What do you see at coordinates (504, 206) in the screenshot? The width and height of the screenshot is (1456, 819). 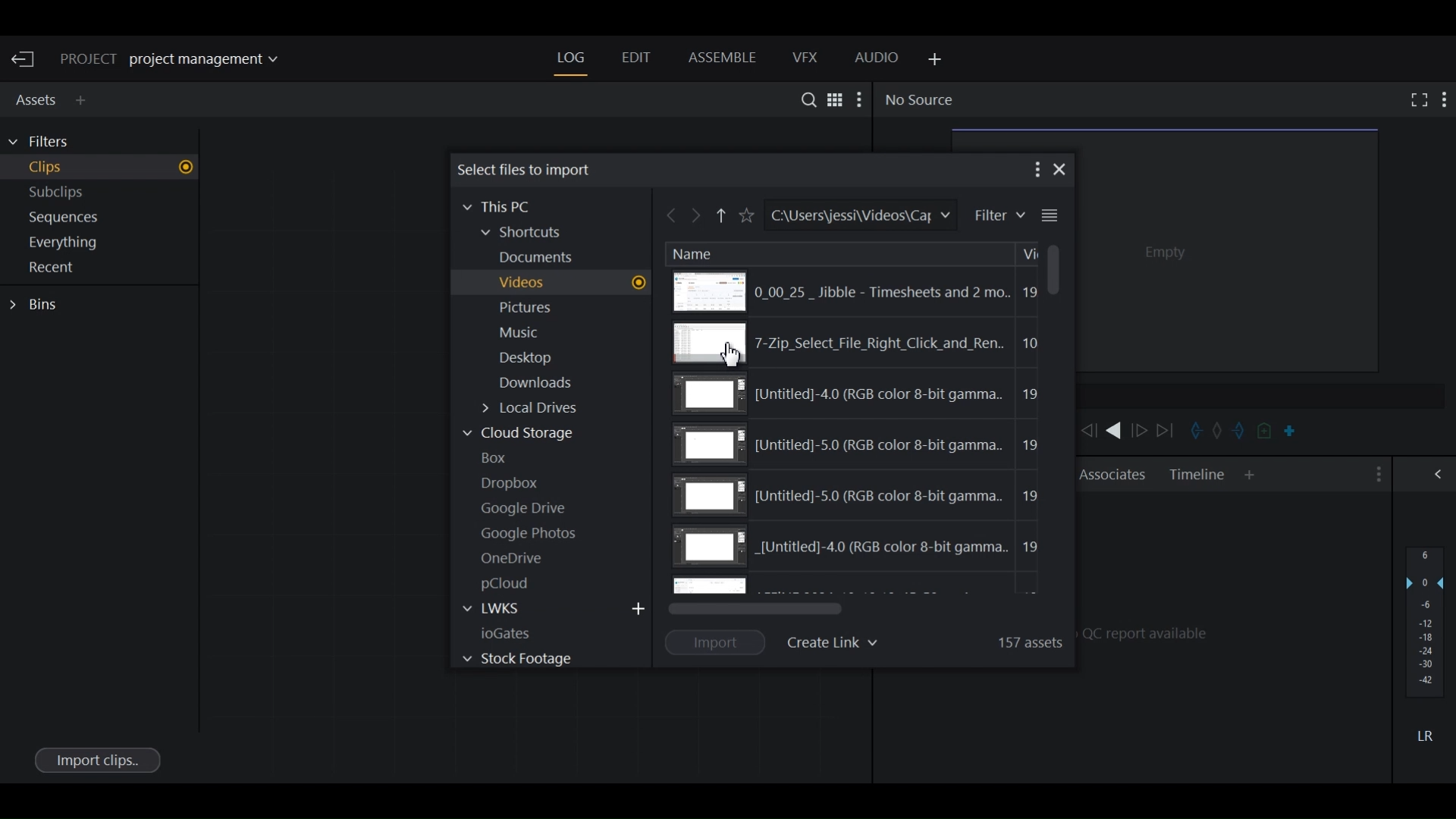 I see `This Pc` at bounding box center [504, 206].